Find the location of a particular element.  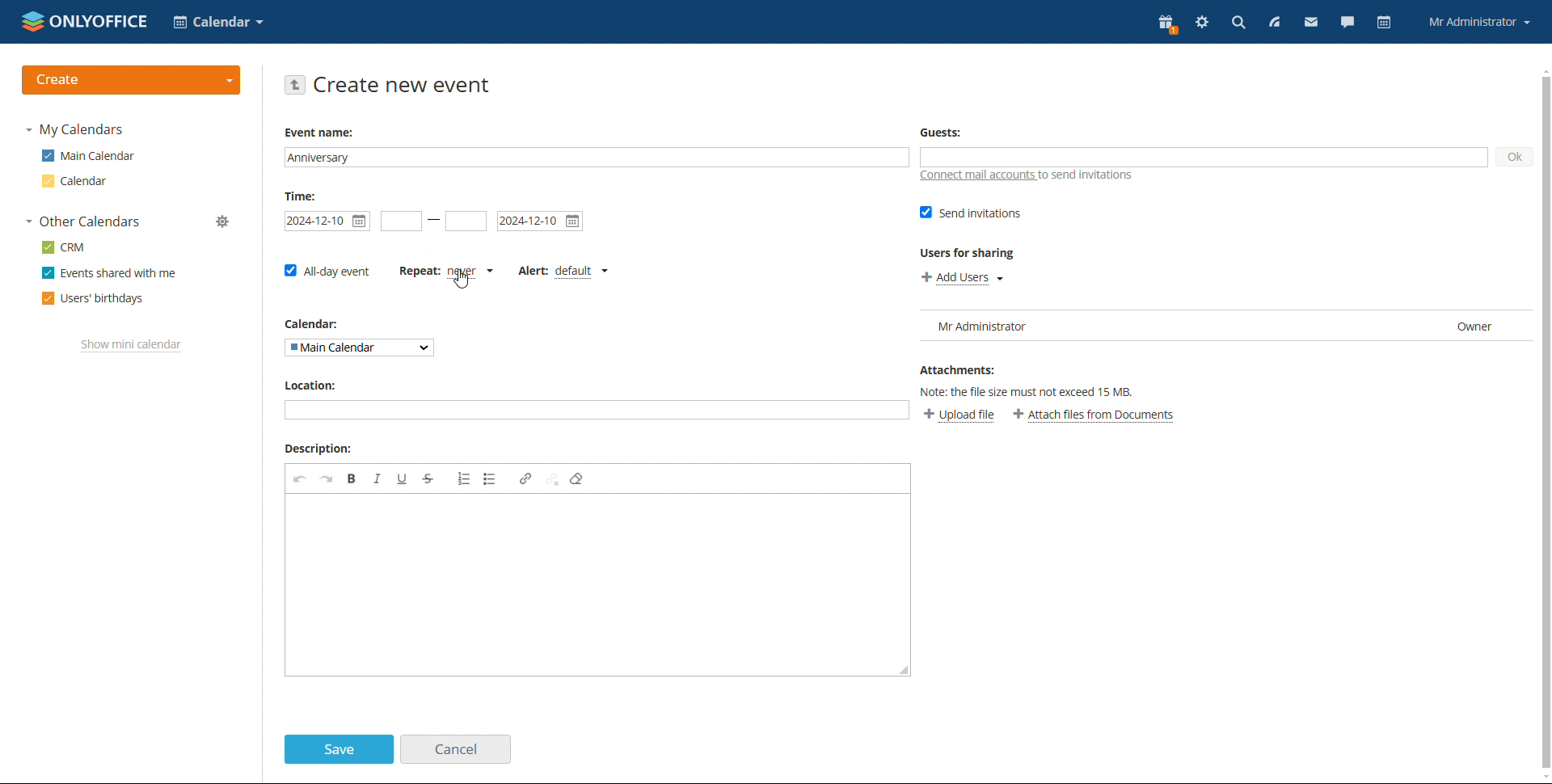

set alert is located at coordinates (563, 272).